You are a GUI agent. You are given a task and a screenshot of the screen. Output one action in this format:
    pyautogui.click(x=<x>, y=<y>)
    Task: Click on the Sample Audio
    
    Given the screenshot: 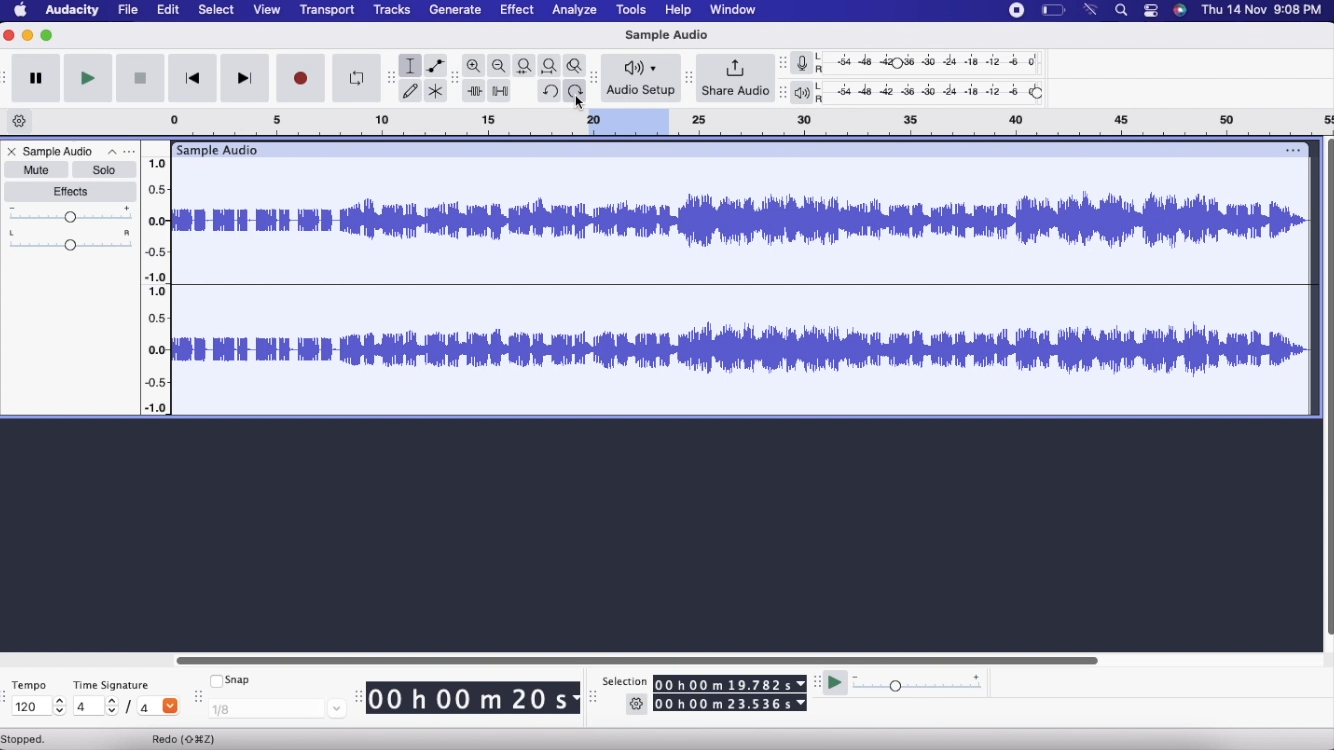 What is the action you would take?
    pyautogui.click(x=665, y=35)
    